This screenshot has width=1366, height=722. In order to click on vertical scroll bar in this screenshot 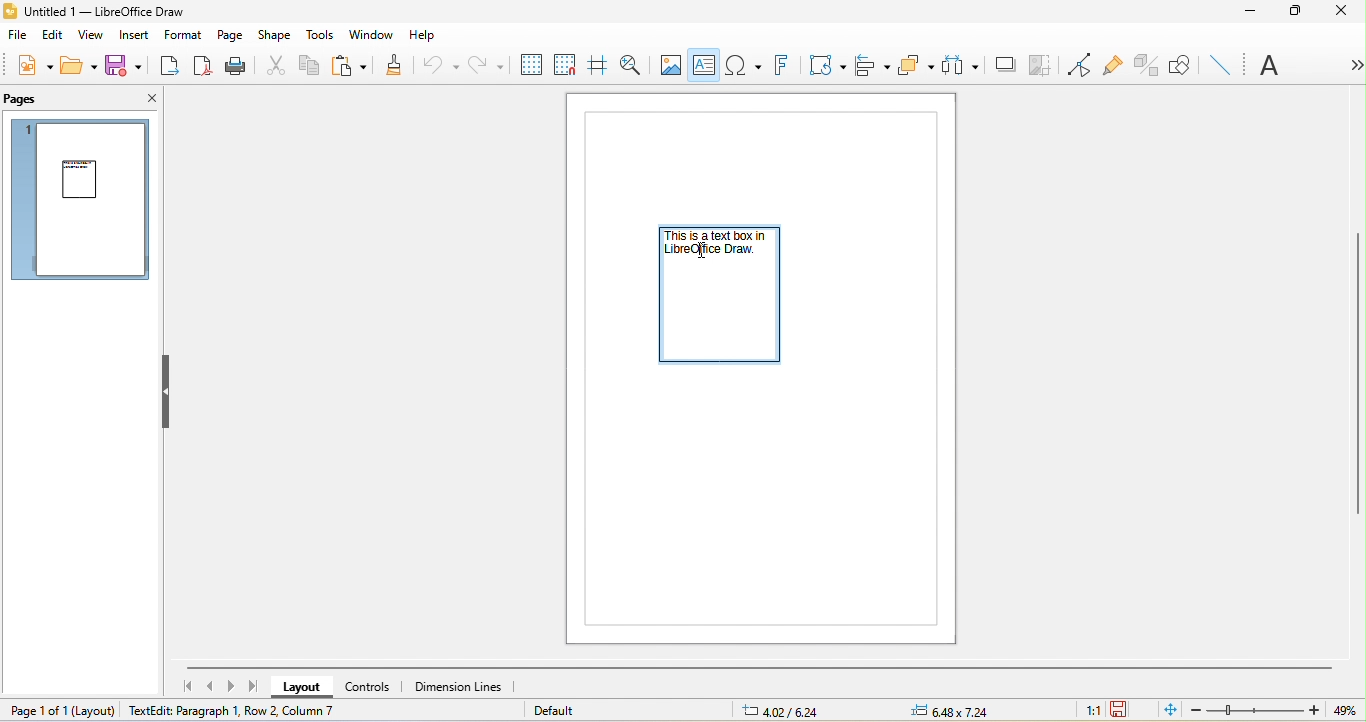, I will do `click(1357, 370)`.